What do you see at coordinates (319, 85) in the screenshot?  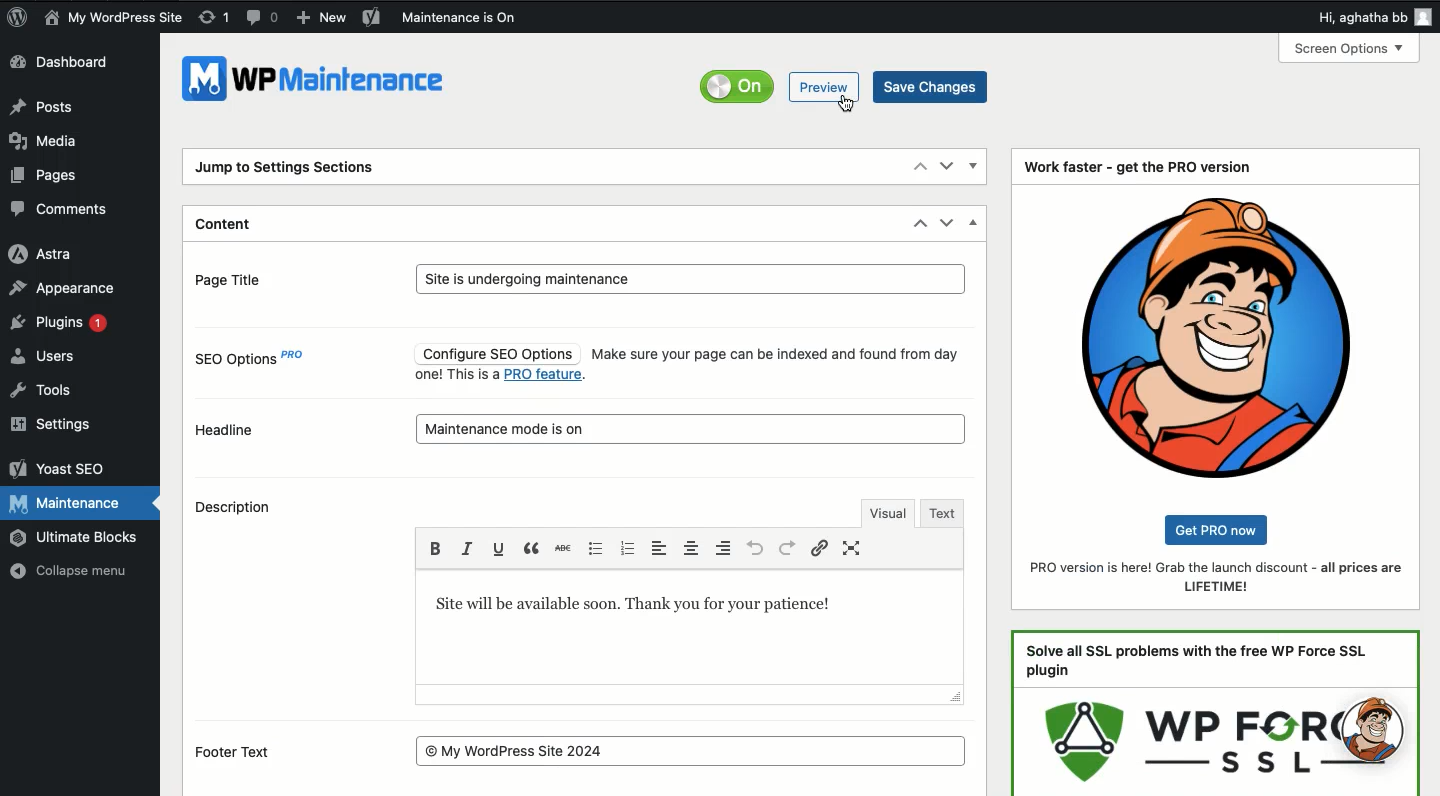 I see `WPMaintenance` at bounding box center [319, 85].